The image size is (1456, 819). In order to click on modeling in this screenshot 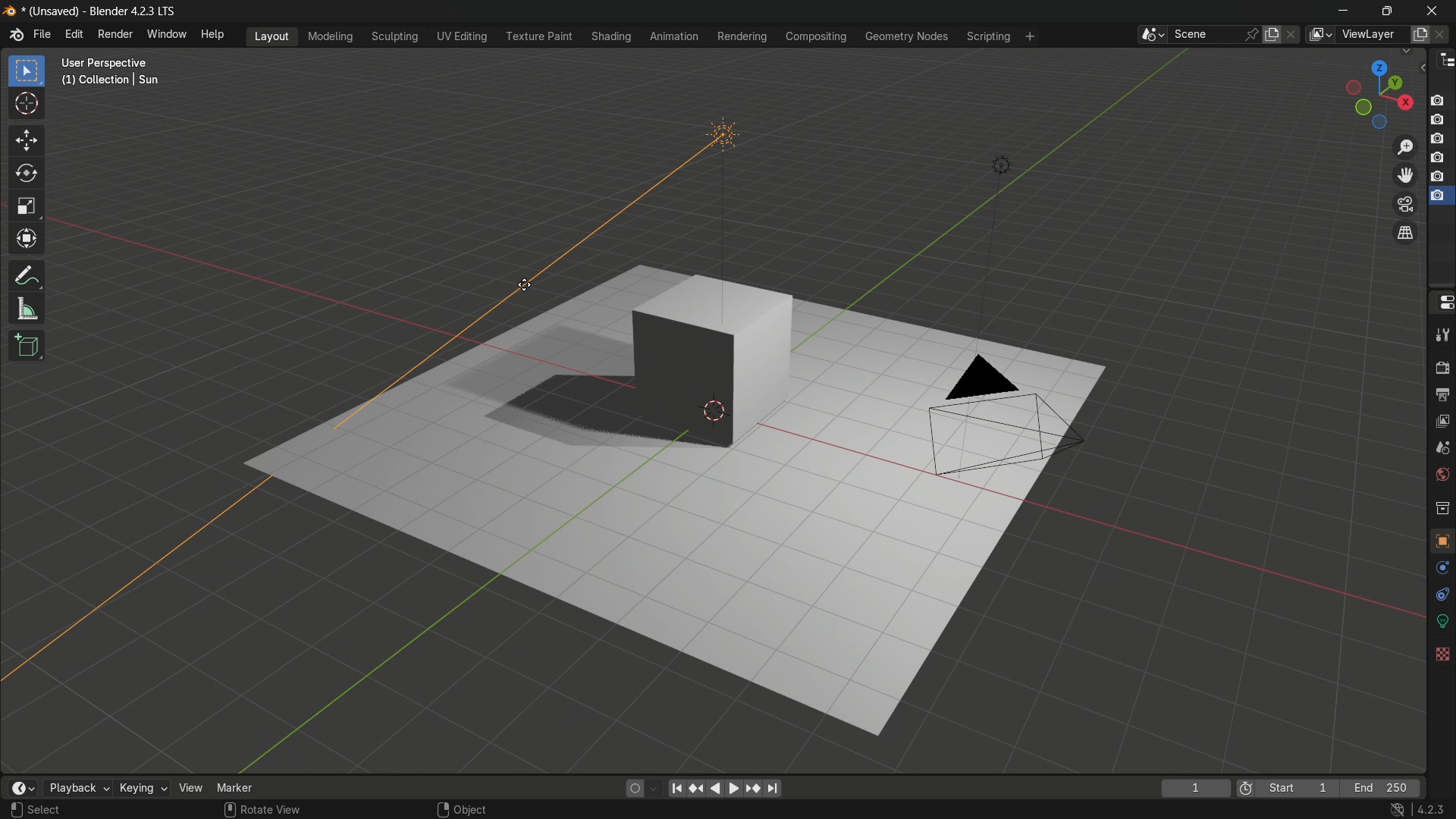, I will do `click(329, 35)`.